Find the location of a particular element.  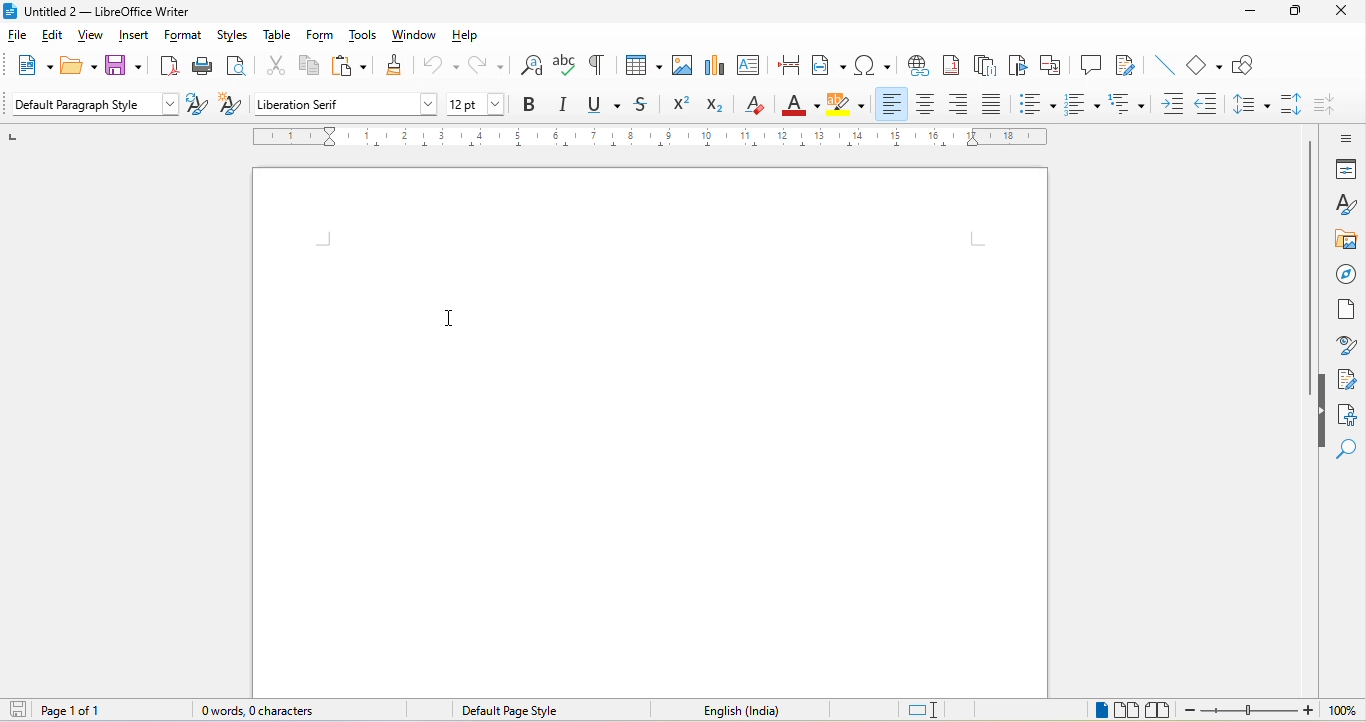

chart is located at coordinates (718, 63).